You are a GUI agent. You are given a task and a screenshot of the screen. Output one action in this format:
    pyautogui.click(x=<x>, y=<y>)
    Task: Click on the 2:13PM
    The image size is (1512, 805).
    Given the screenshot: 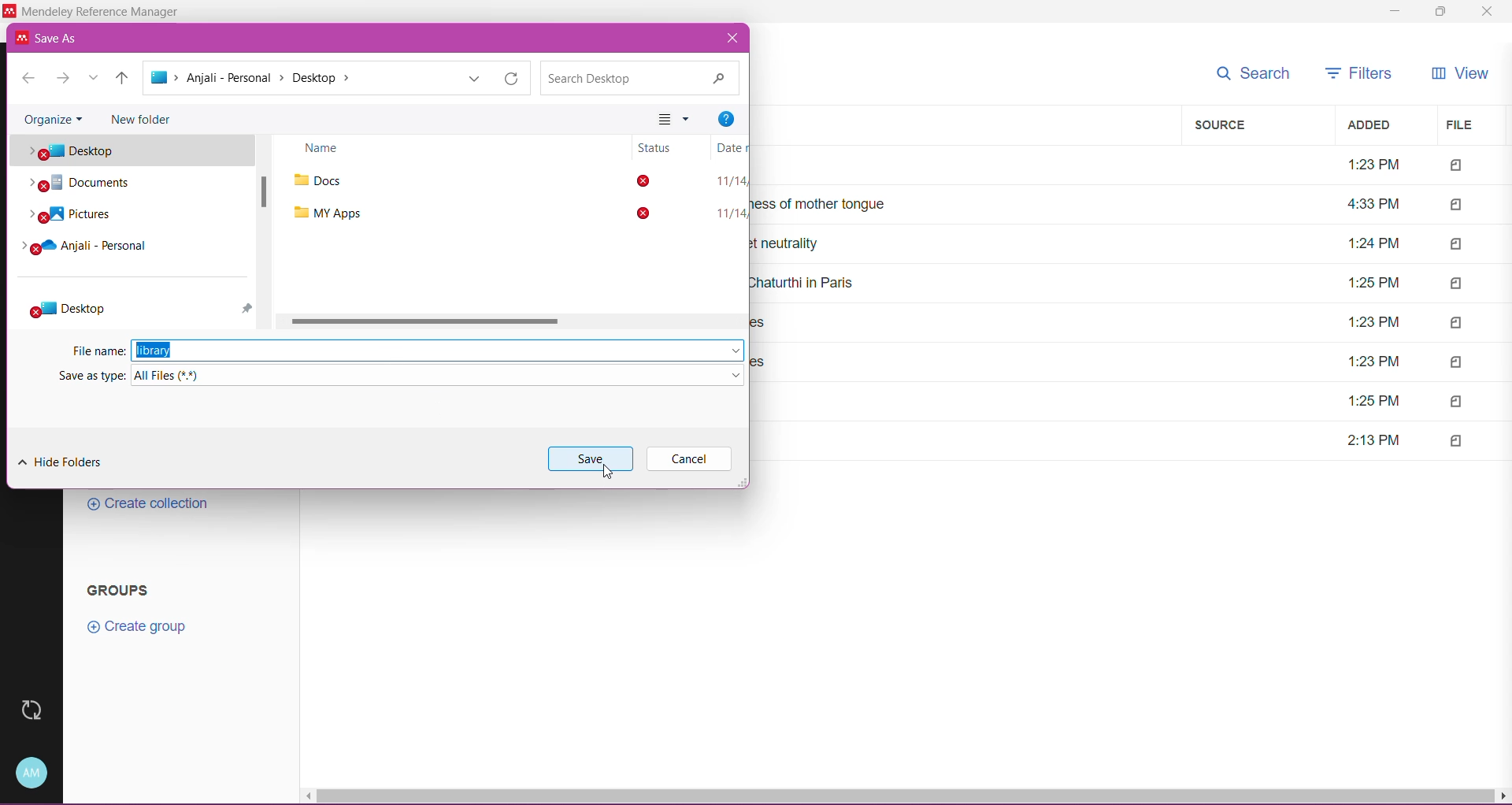 What is the action you would take?
    pyautogui.click(x=1370, y=440)
    